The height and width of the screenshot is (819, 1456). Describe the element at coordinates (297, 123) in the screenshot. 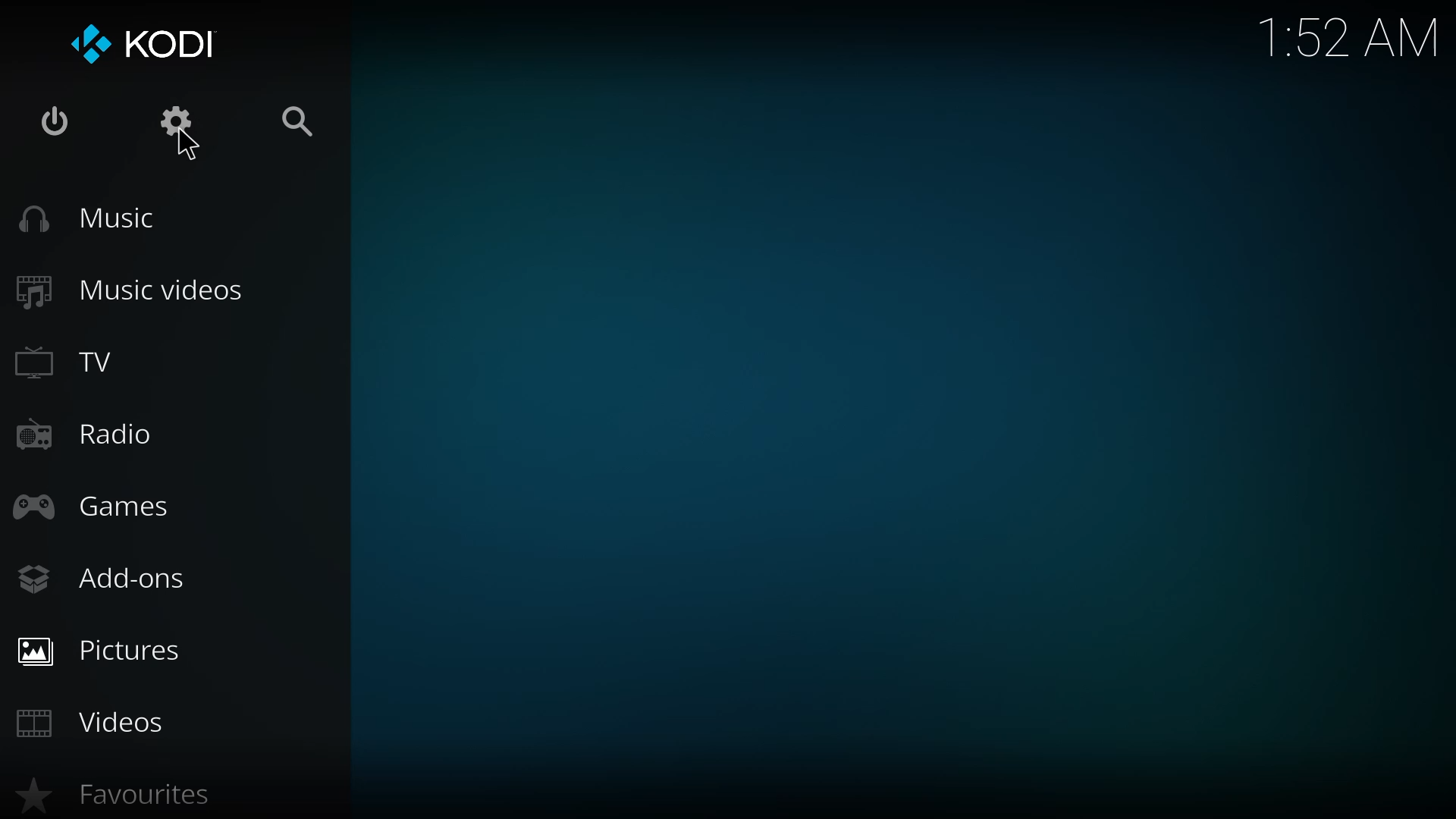

I see `search` at that location.